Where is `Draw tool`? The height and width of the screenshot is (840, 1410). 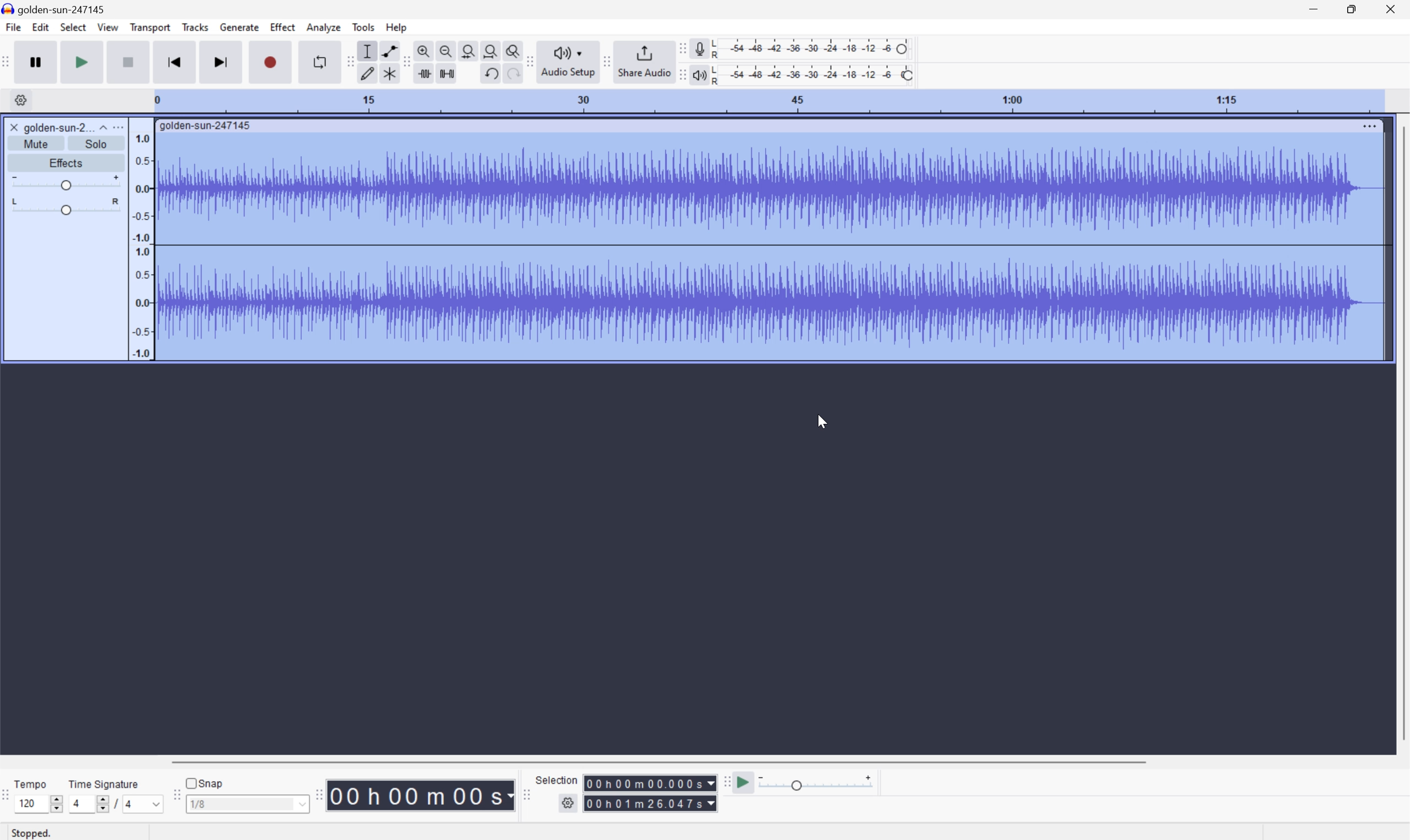
Draw tool is located at coordinates (368, 74).